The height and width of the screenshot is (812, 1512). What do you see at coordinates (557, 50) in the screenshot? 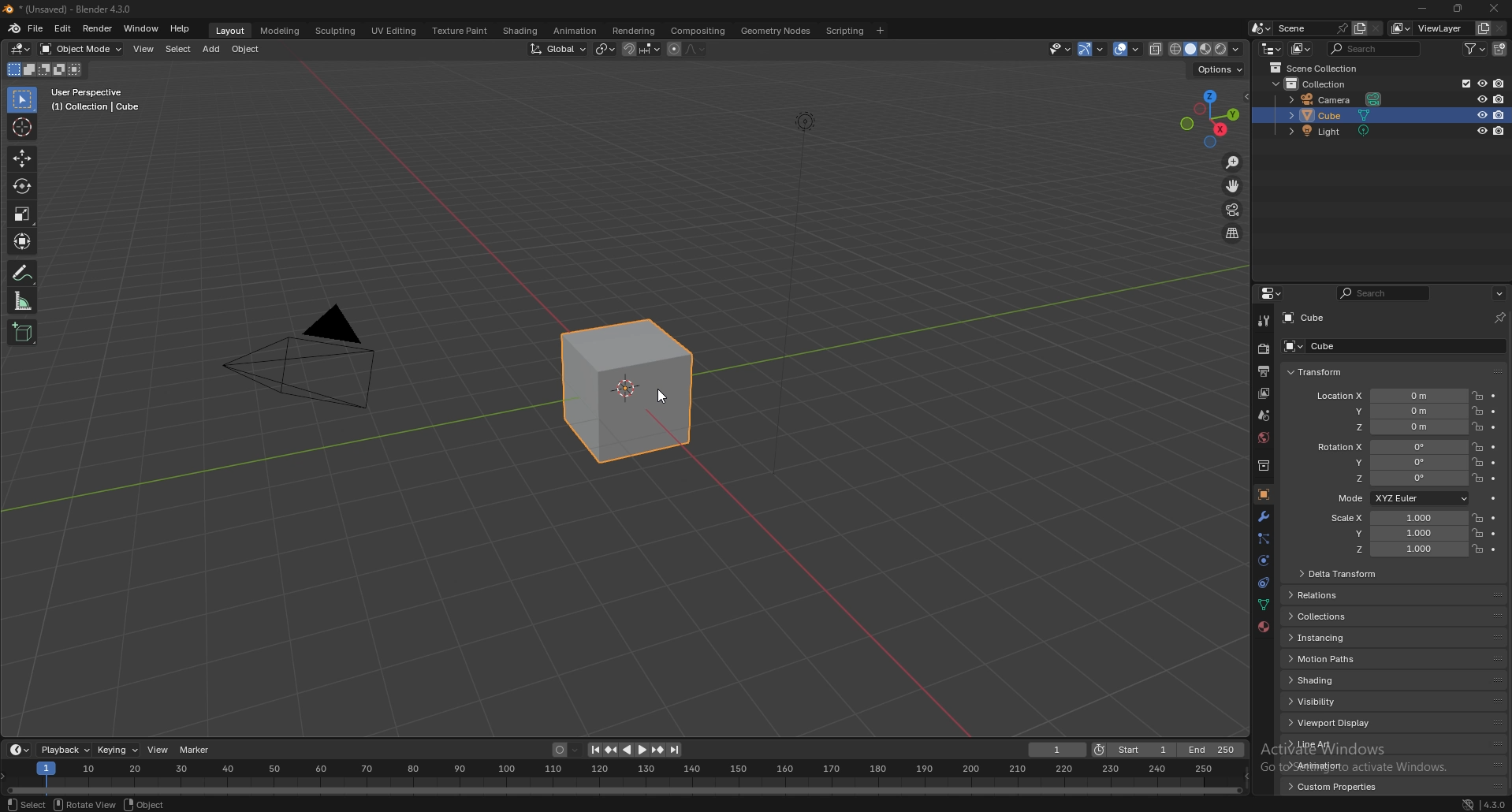
I see `transform orientation` at bounding box center [557, 50].